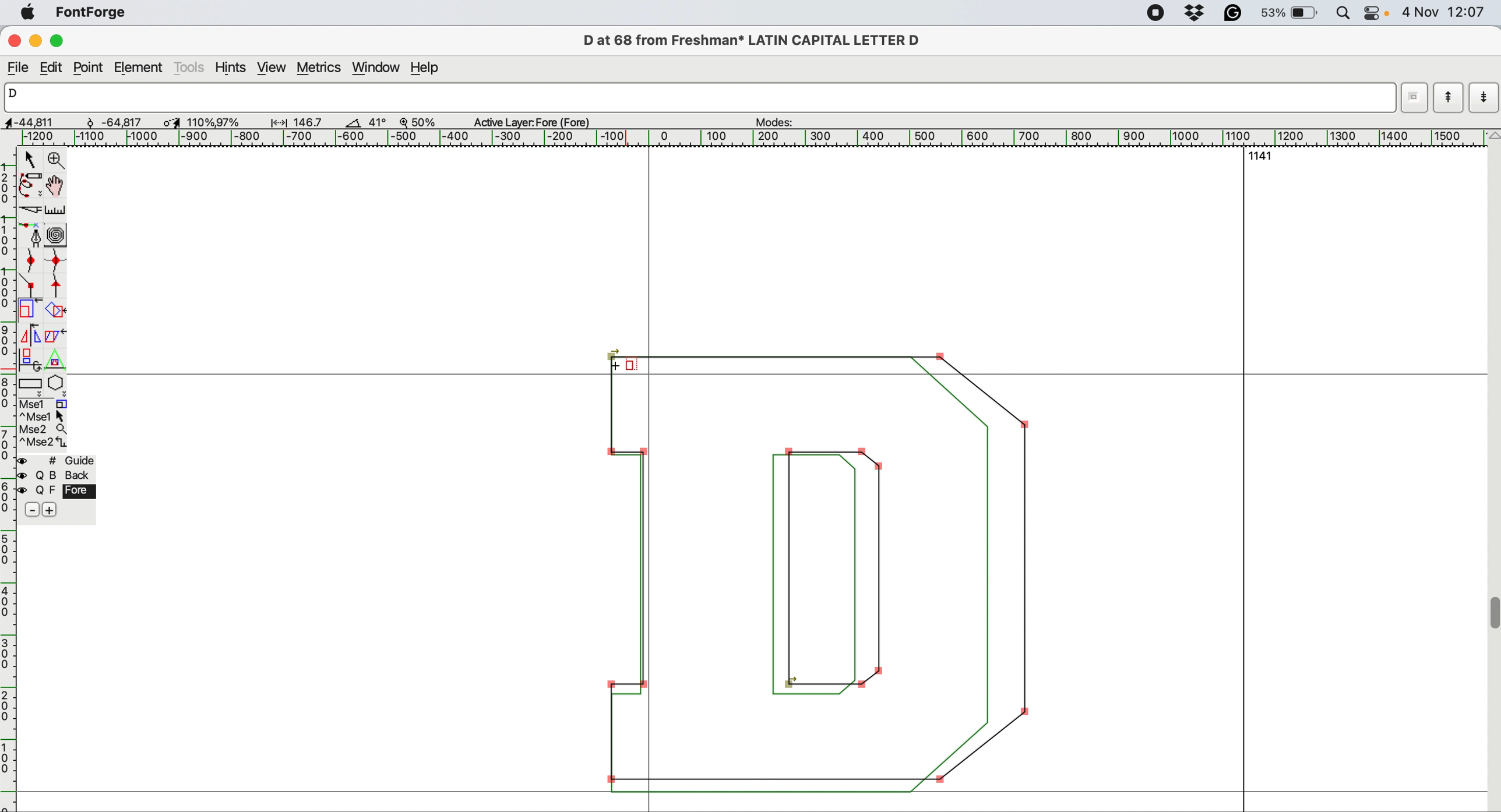 The image size is (1501, 812). Describe the element at coordinates (1449, 98) in the screenshot. I see `previous letter` at that location.